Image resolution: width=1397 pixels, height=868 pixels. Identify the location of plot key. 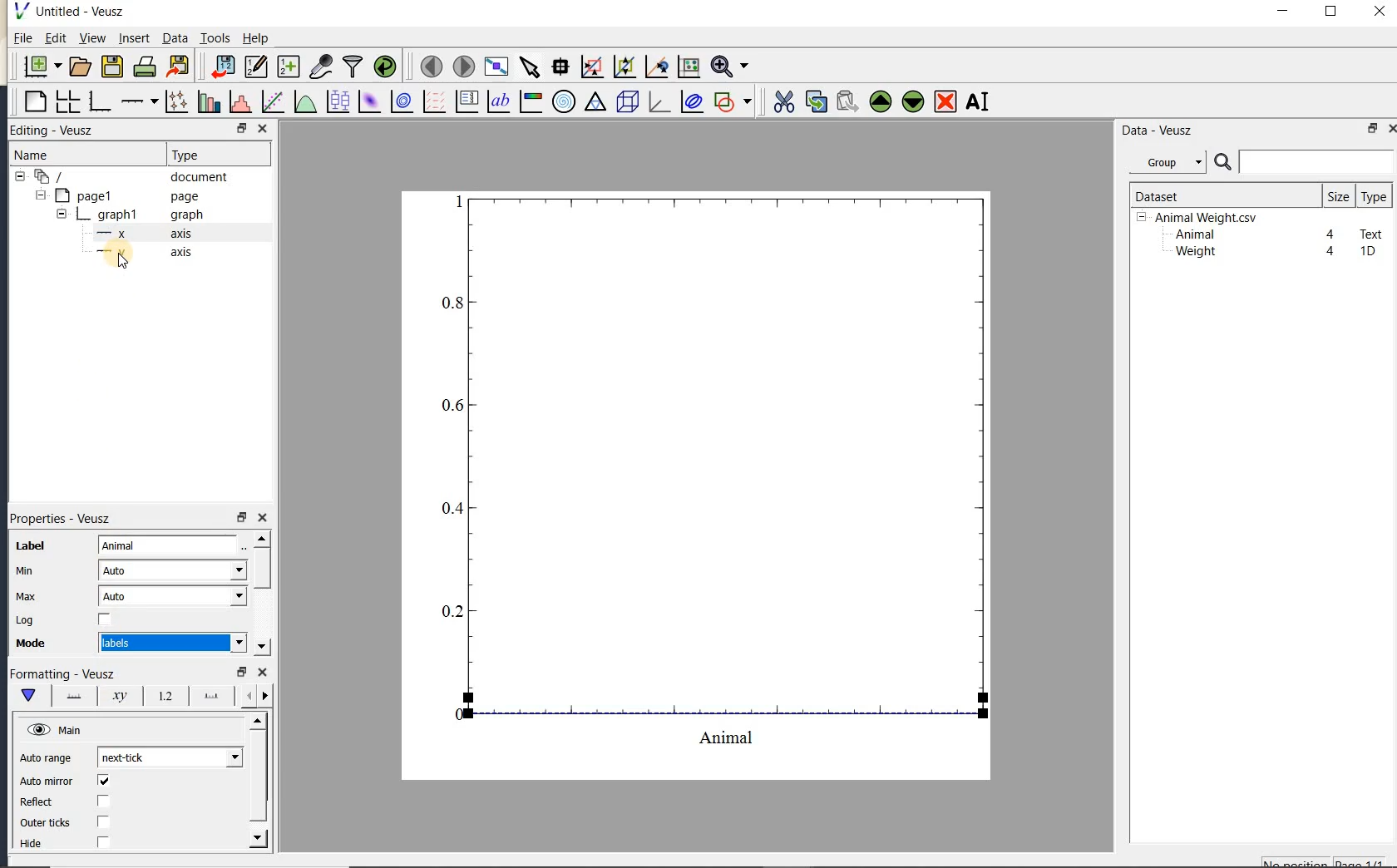
(465, 101).